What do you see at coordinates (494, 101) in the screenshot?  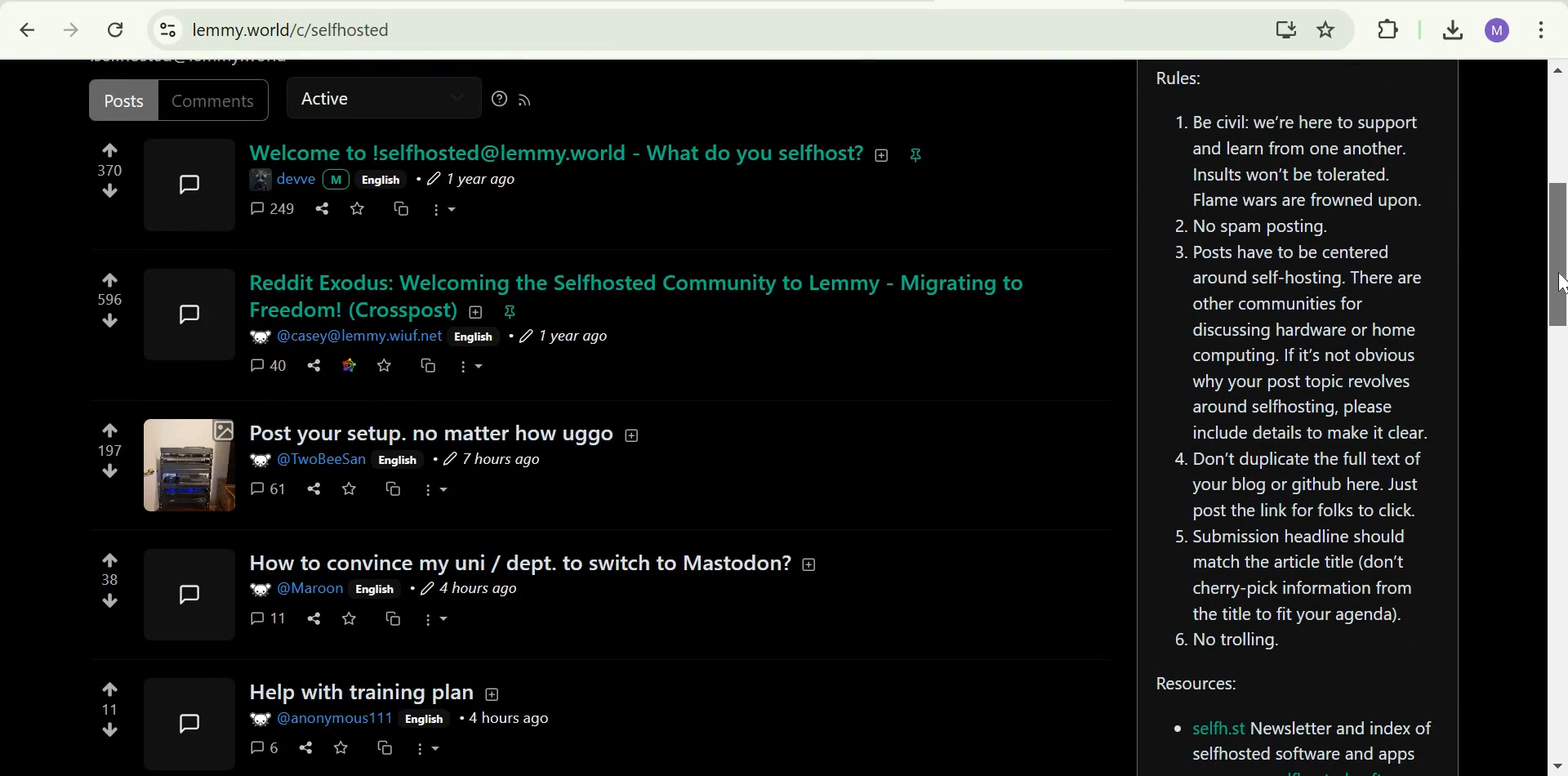 I see `help` at bounding box center [494, 101].